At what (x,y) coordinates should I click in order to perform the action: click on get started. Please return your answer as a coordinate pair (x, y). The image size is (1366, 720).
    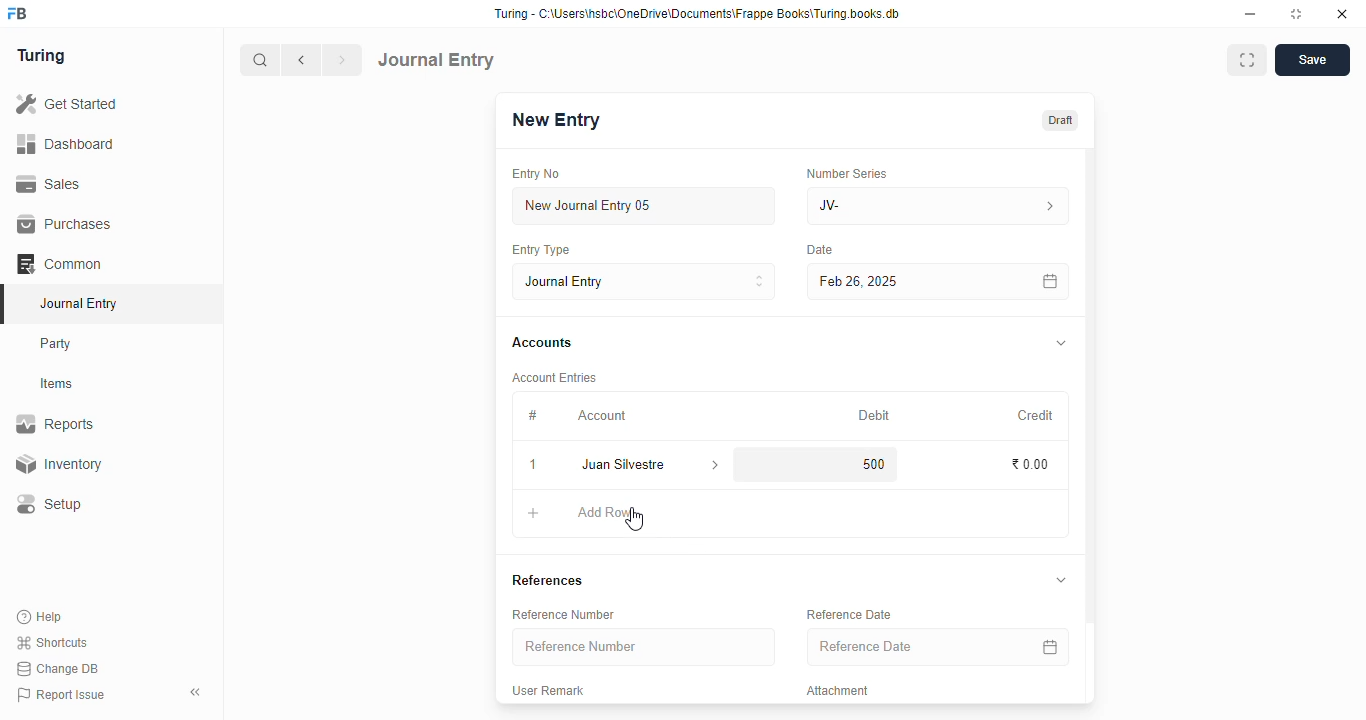
    Looking at the image, I should click on (68, 104).